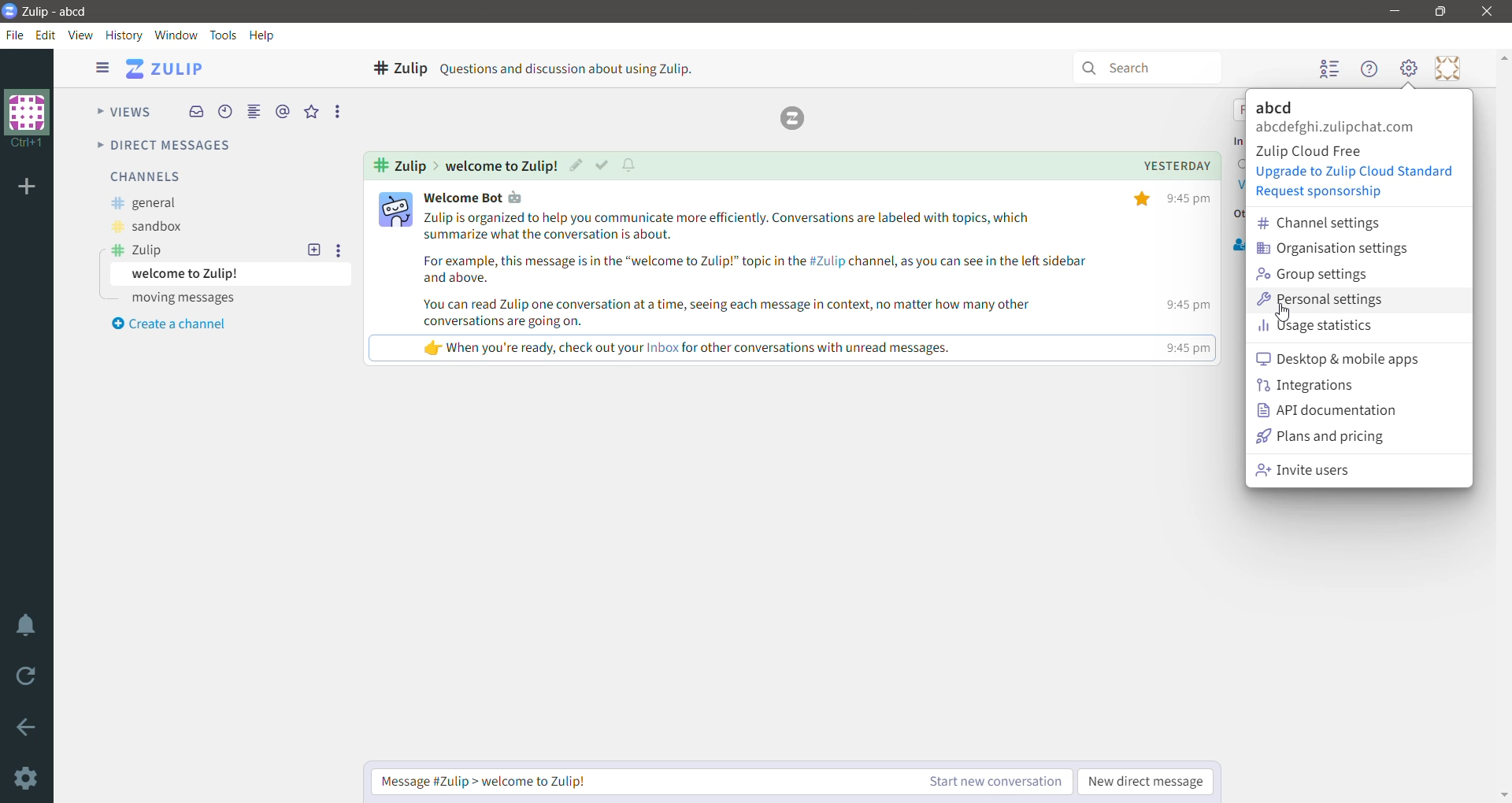 The height and width of the screenshot is (803, 1512). Describe the element at coordinates (603, 165) in the screenshot. I see `Mark as read` at that location.